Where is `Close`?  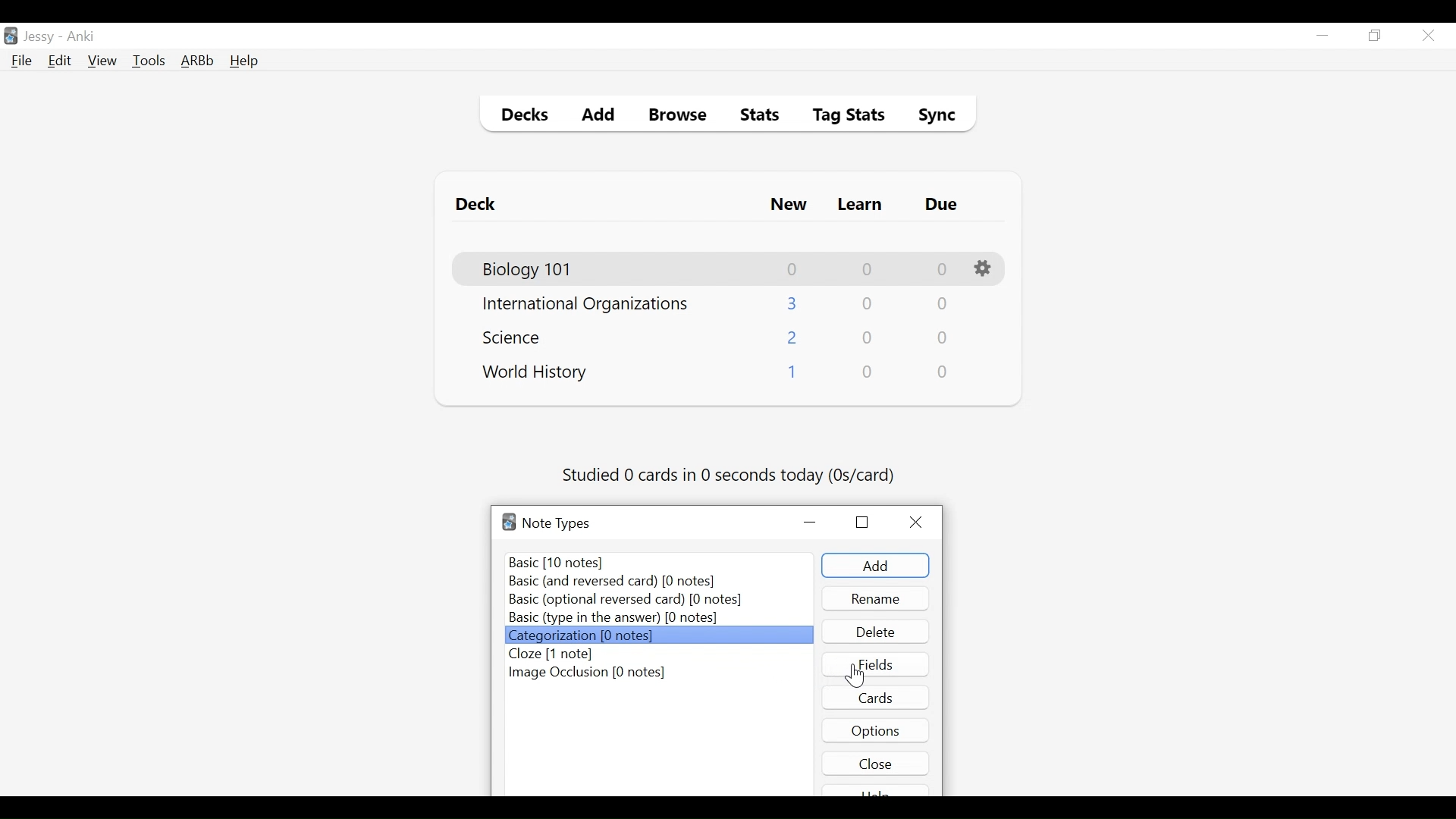 Close is located at coordinates (1428, 36).